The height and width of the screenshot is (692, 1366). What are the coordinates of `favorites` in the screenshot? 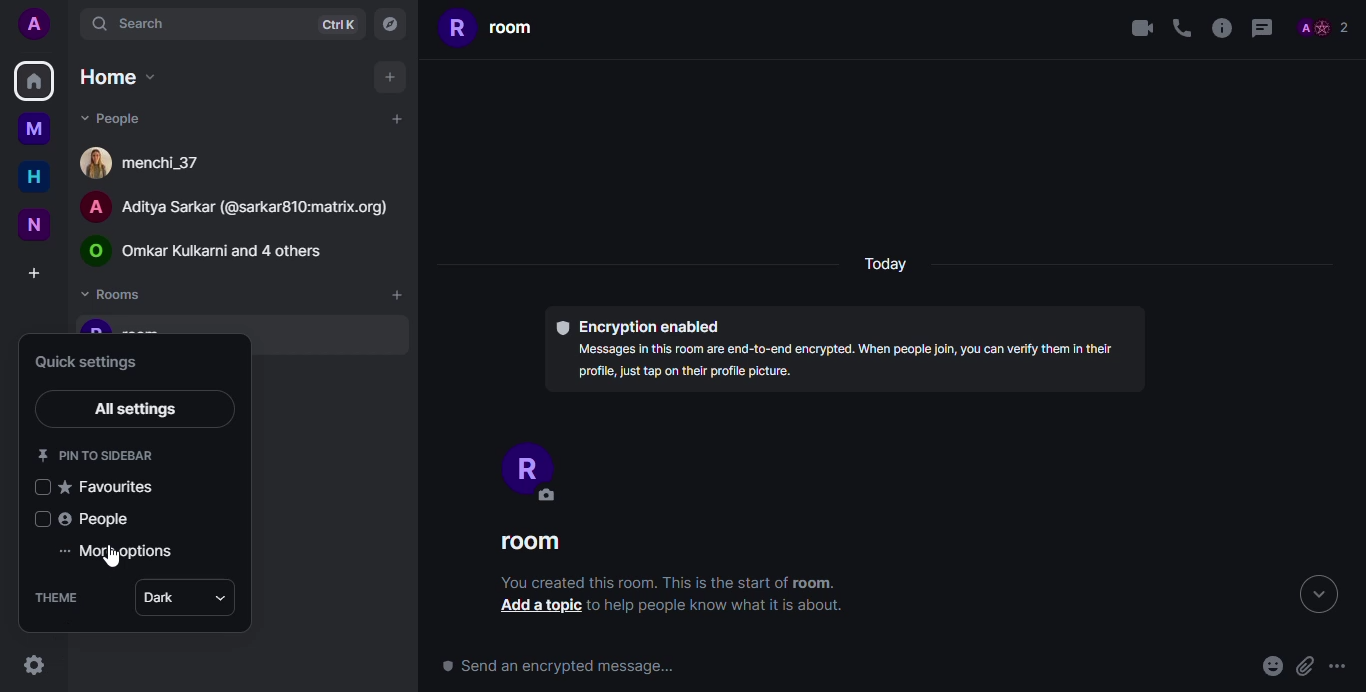 It's located at (110, 487).